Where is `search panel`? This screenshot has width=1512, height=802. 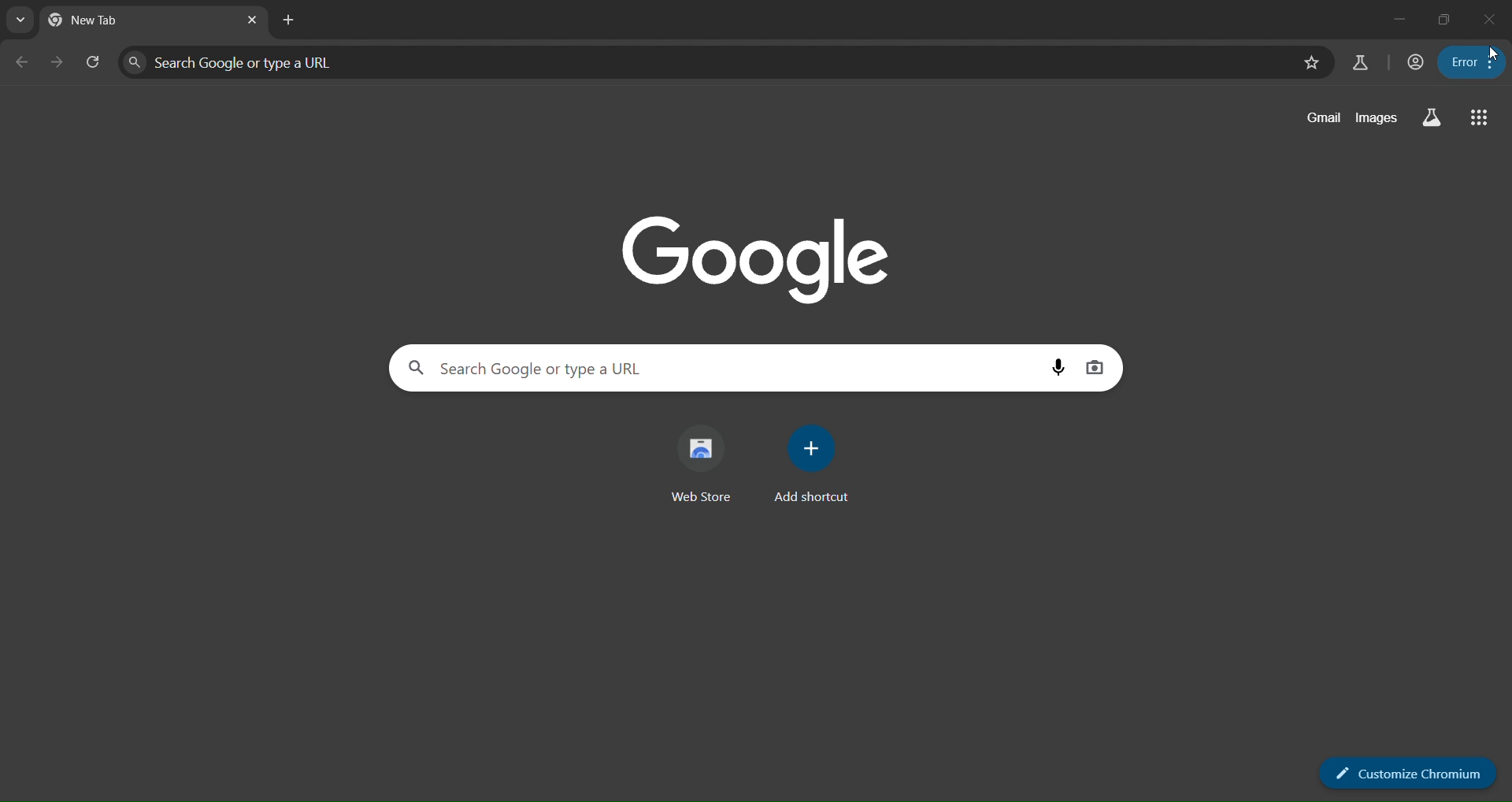
search panel is located at coordinates (726, 367).